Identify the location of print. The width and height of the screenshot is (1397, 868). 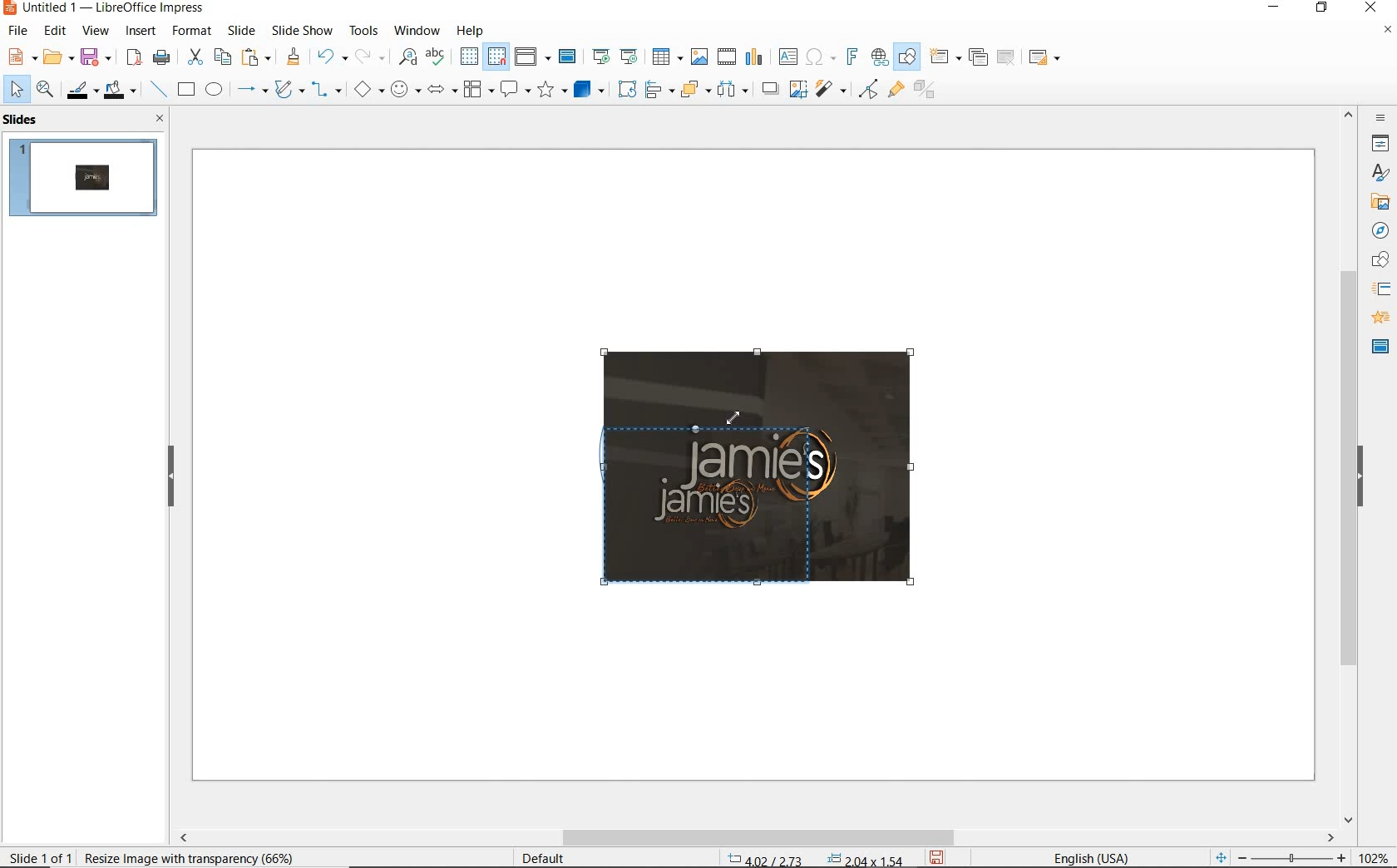
(161, 56).